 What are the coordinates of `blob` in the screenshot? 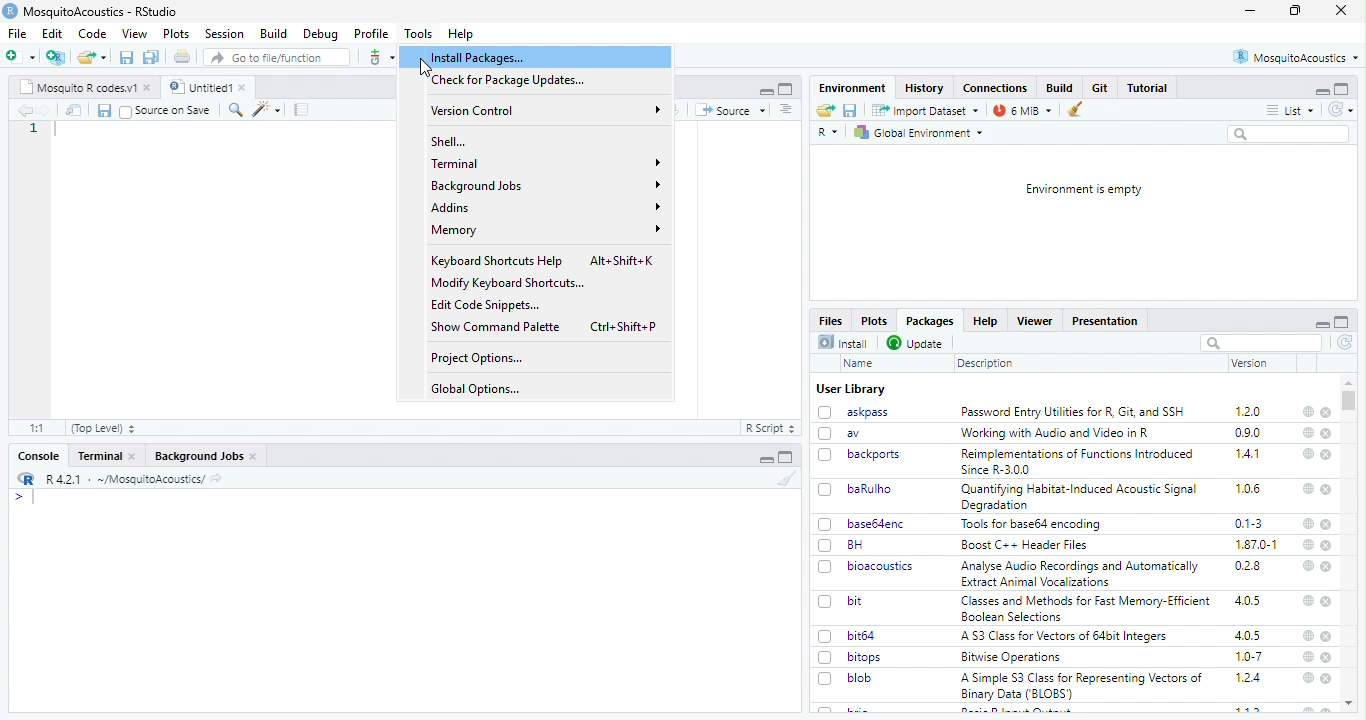 It's located at (860, 678).